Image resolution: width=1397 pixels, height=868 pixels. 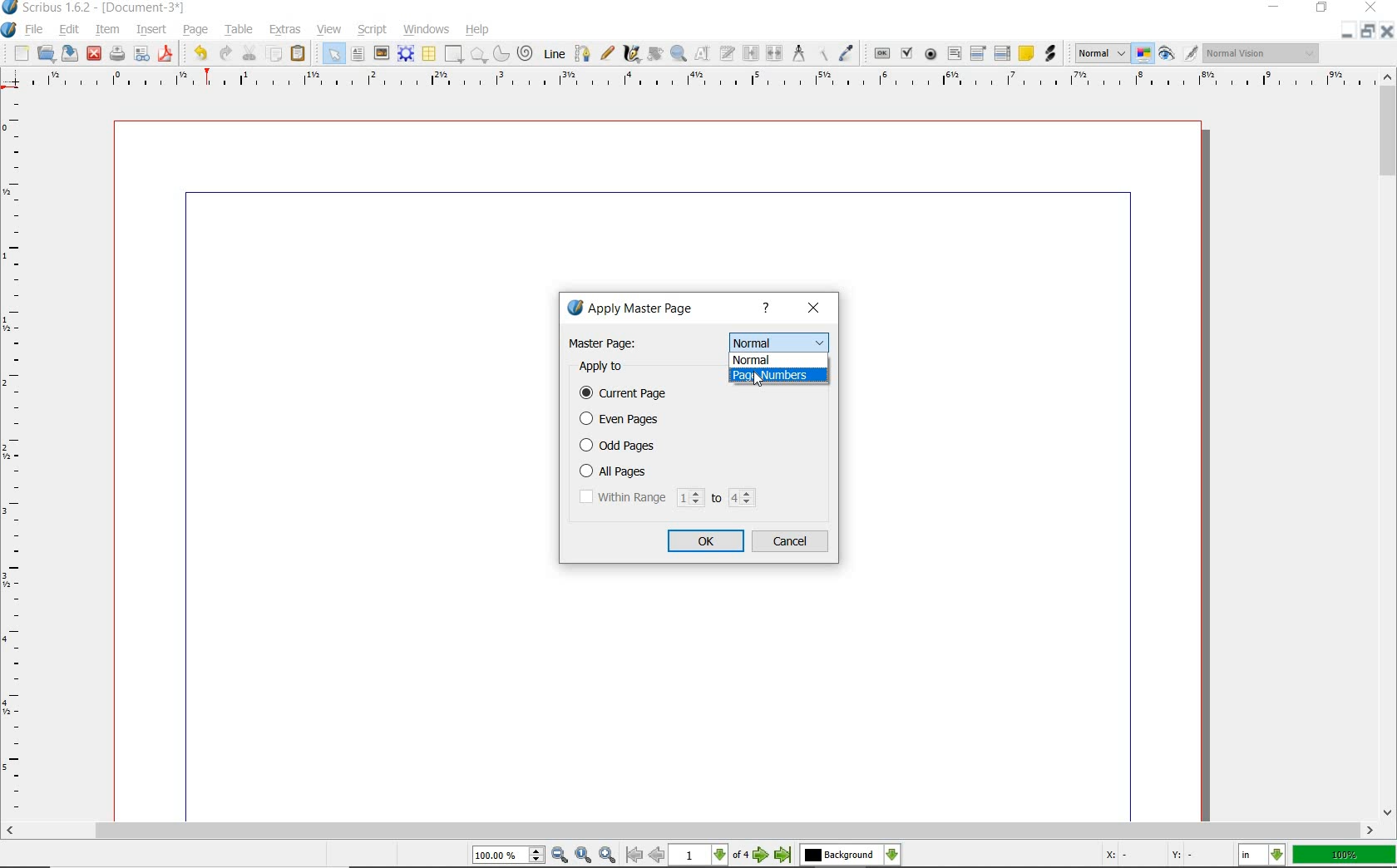 I want to click on table, so click(x=428, y=53).